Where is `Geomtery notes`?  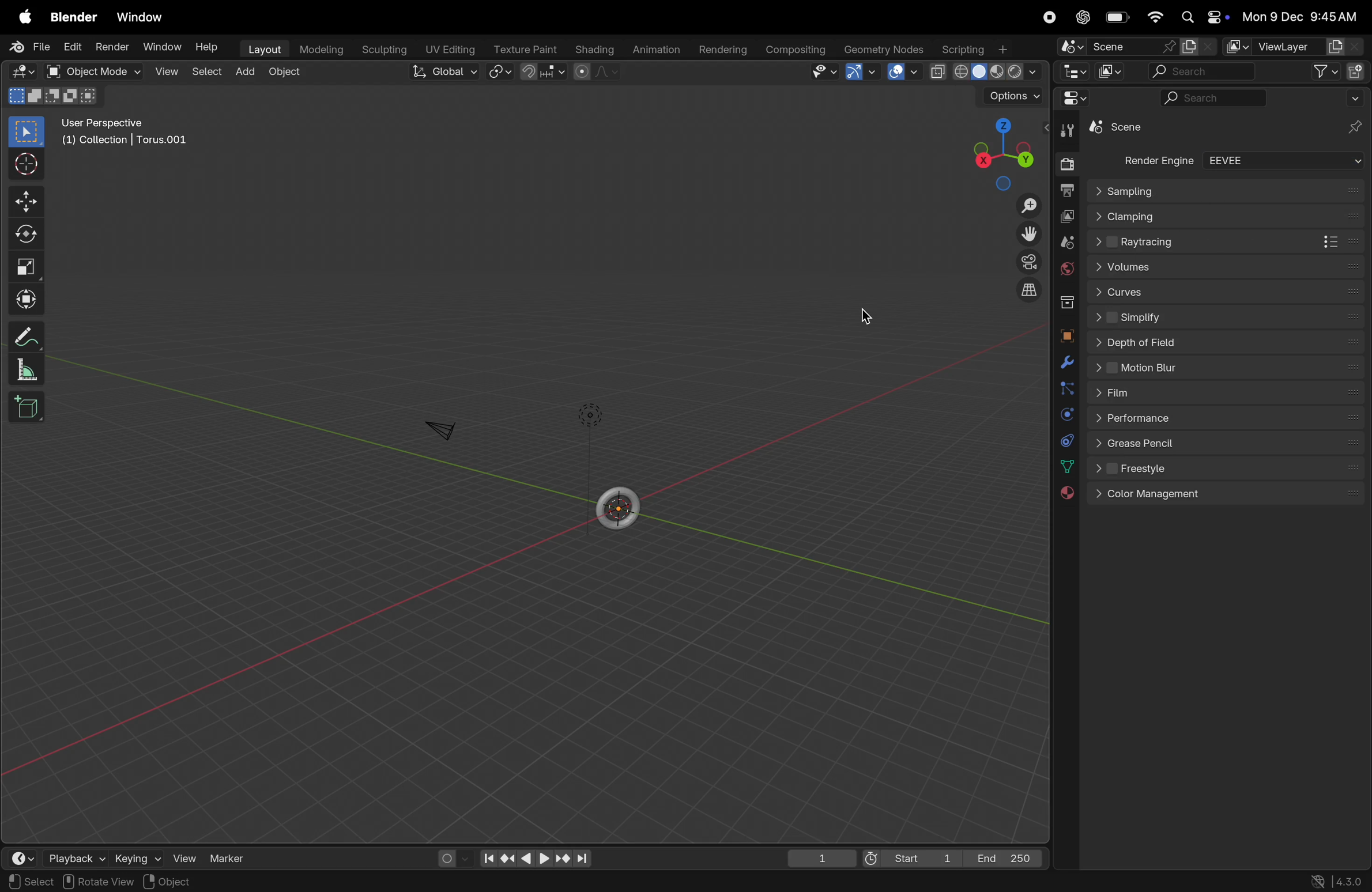
Geomtery notes is located at coordinates (885, 48).